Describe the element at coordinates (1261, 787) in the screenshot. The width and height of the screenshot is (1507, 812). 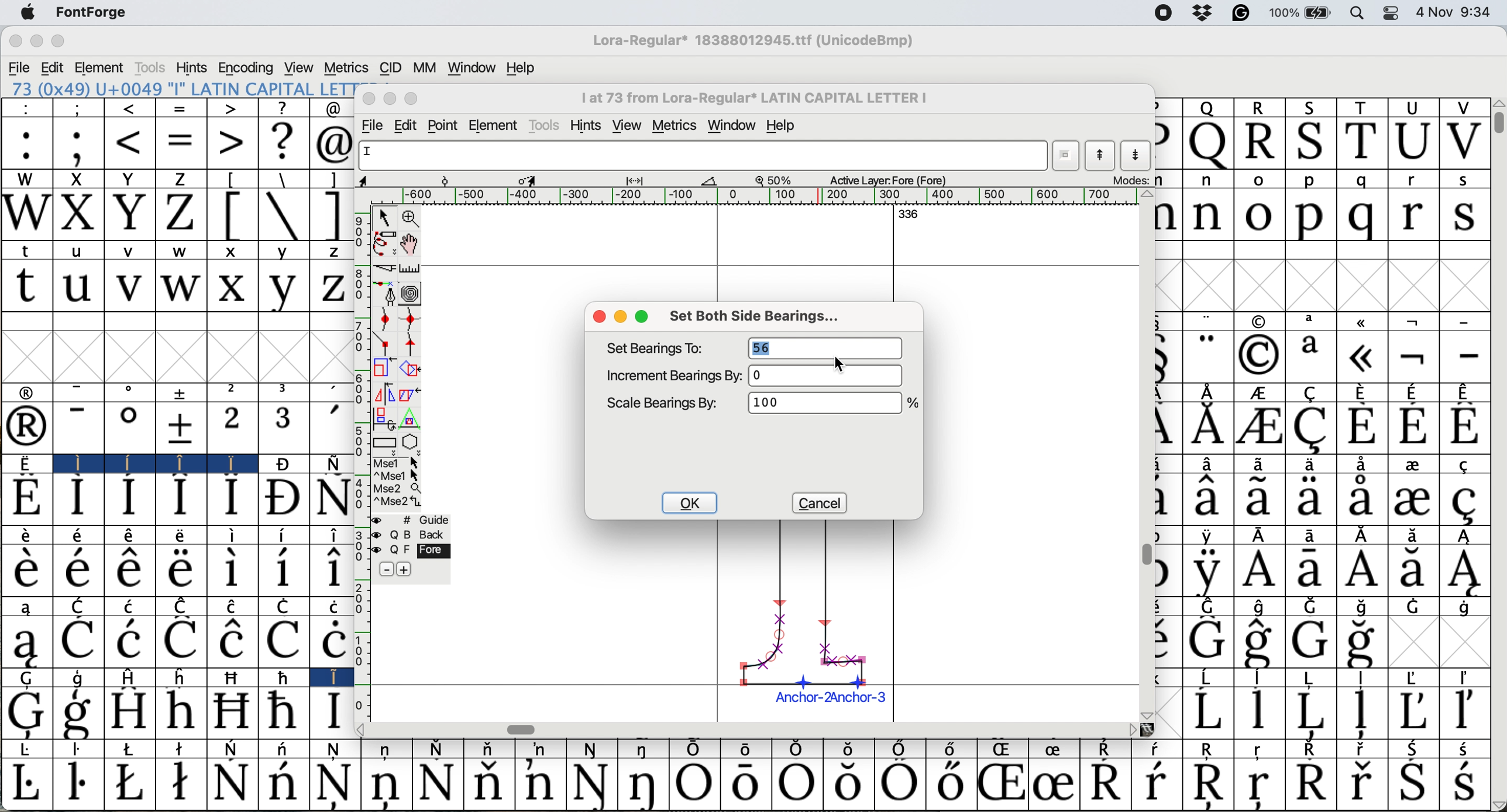
I see `Symbol` at that location.